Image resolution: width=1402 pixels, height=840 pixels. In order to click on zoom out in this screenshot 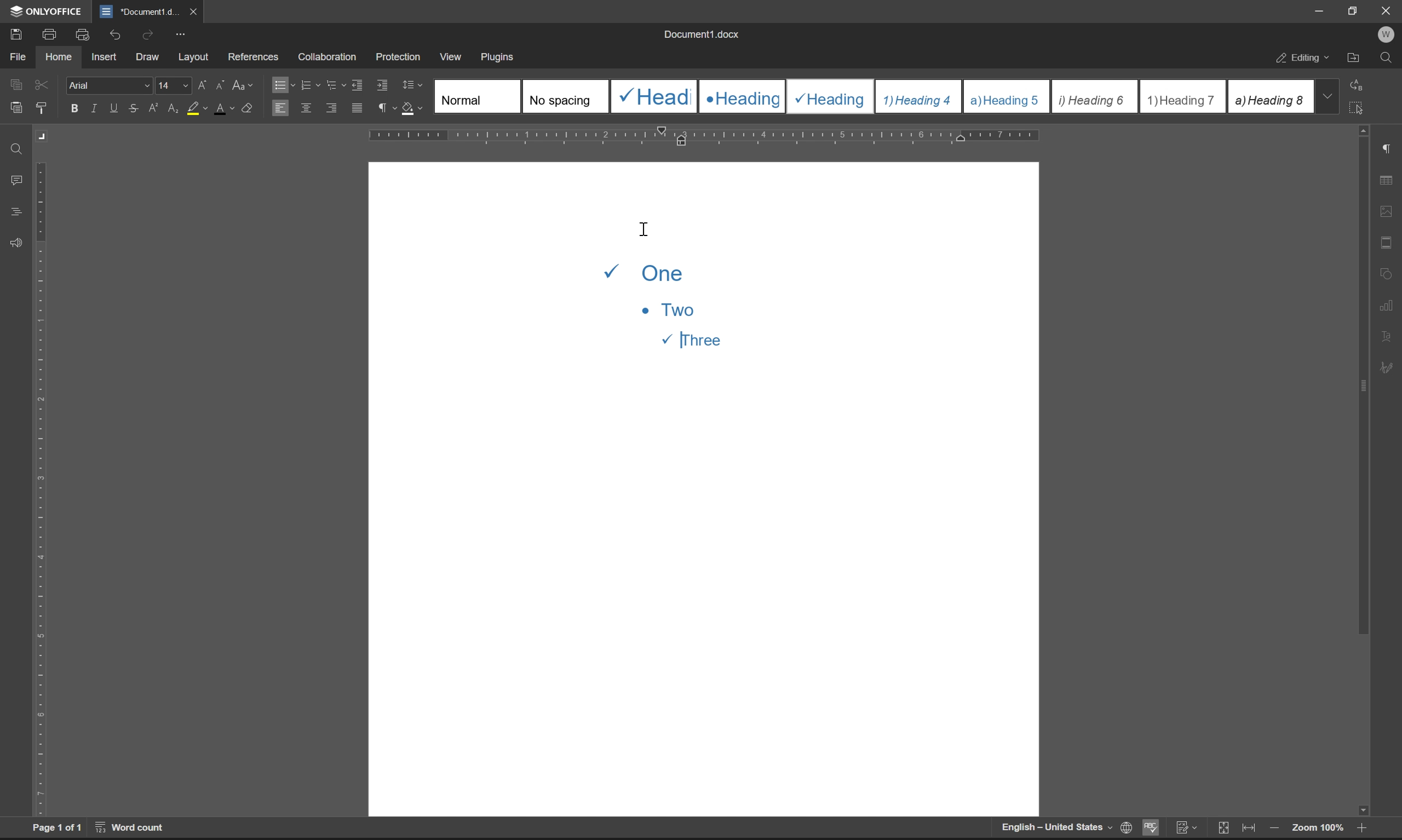, I will do `click(1274, 829)`.